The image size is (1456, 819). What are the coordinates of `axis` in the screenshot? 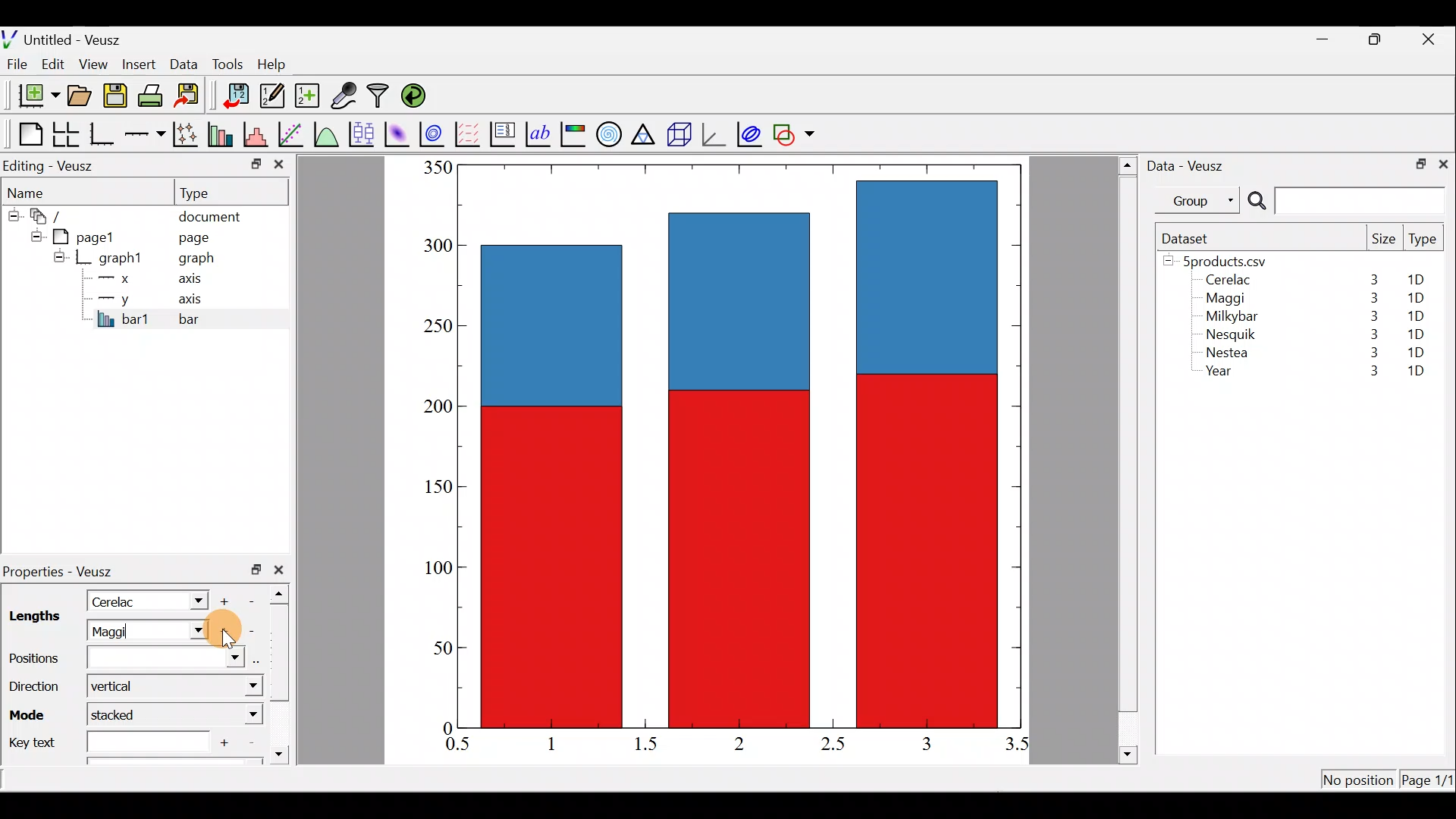 It's located at (197, 300).